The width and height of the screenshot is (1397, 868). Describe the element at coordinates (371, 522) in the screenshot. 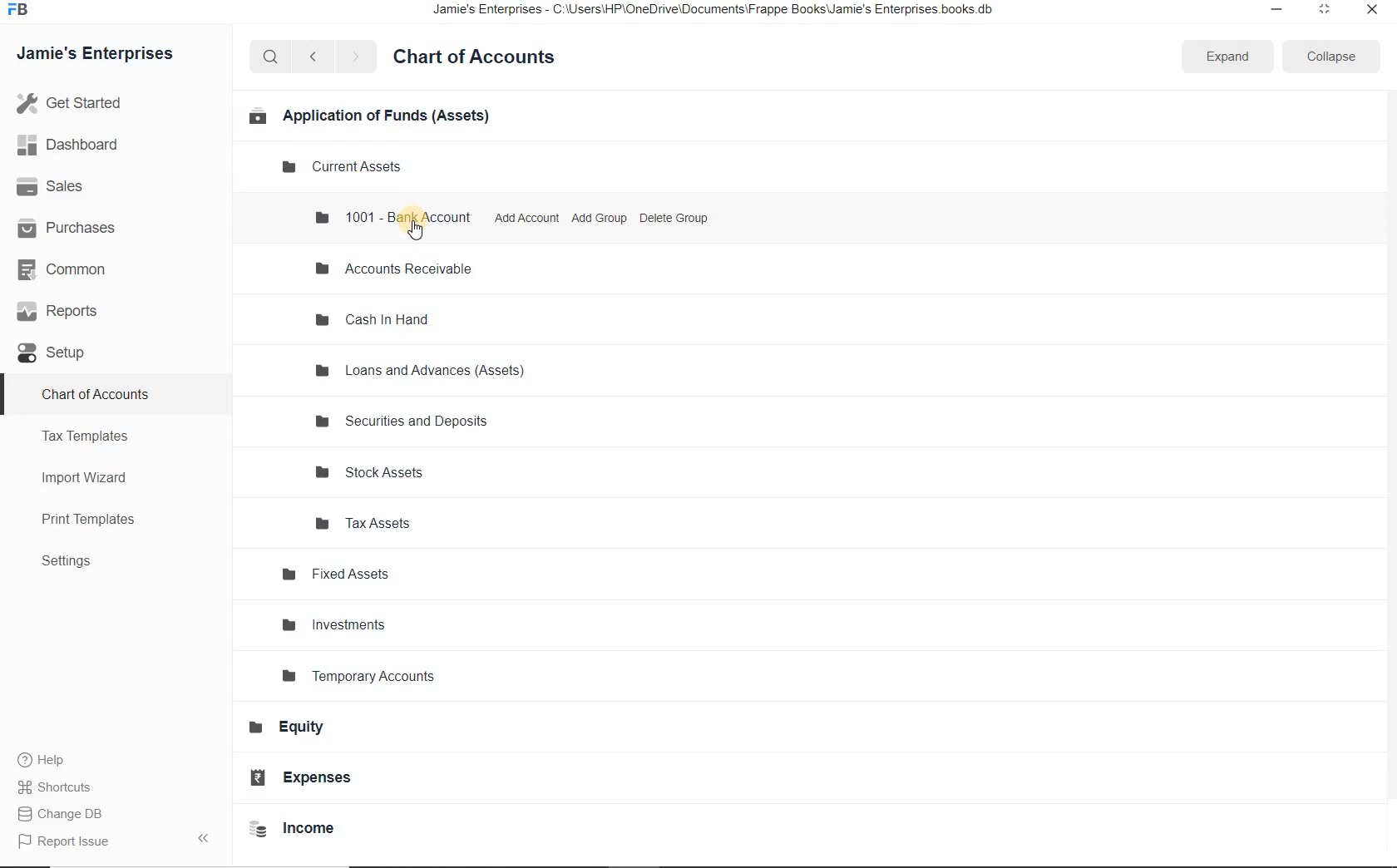

I see `Tax Assets` at that location.